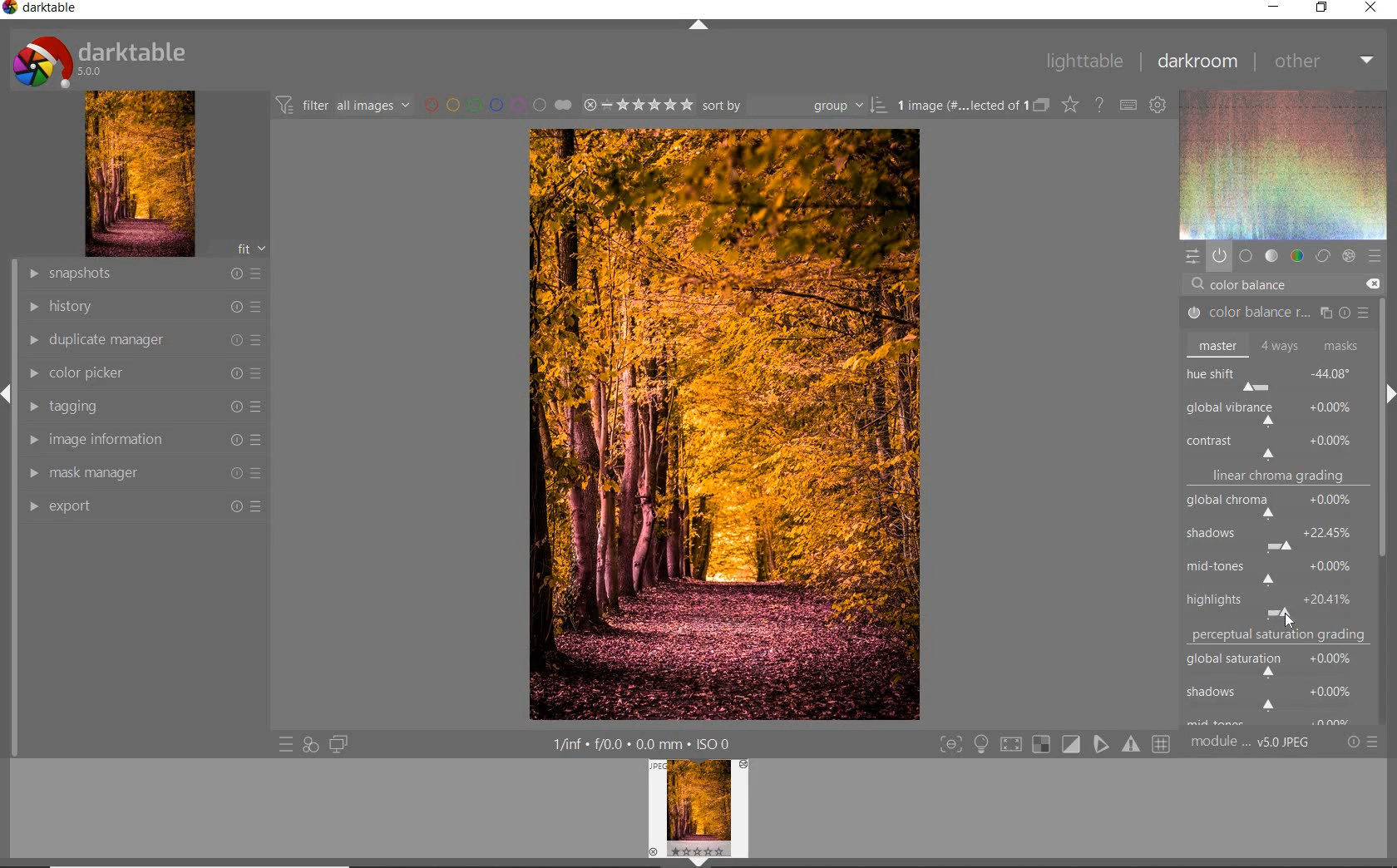  Describe the element at coordinates (335, 744) in the screenshot. I see `display a second darkroom image window` at that location.